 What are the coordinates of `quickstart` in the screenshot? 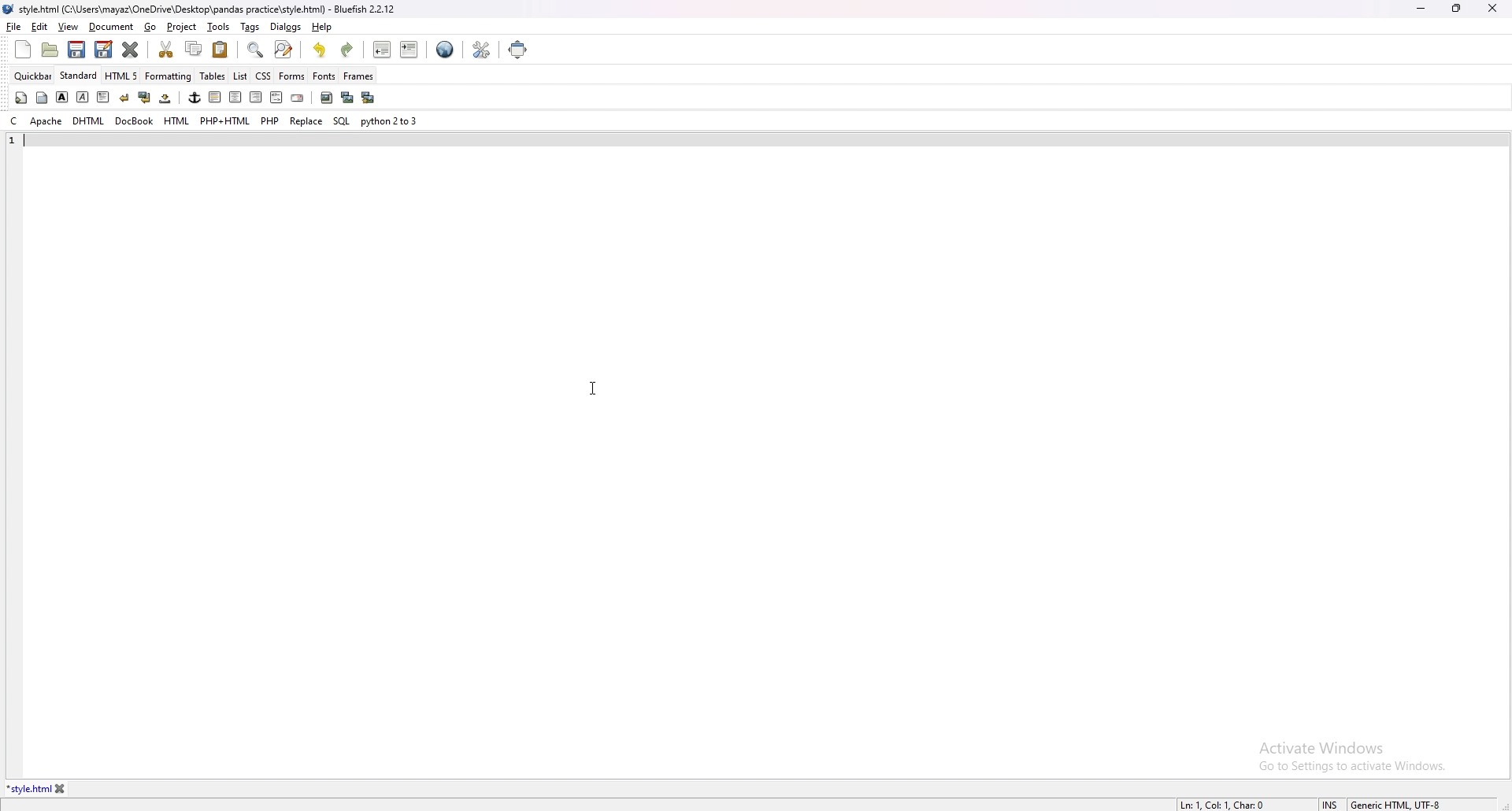 It's located at (20, 98).